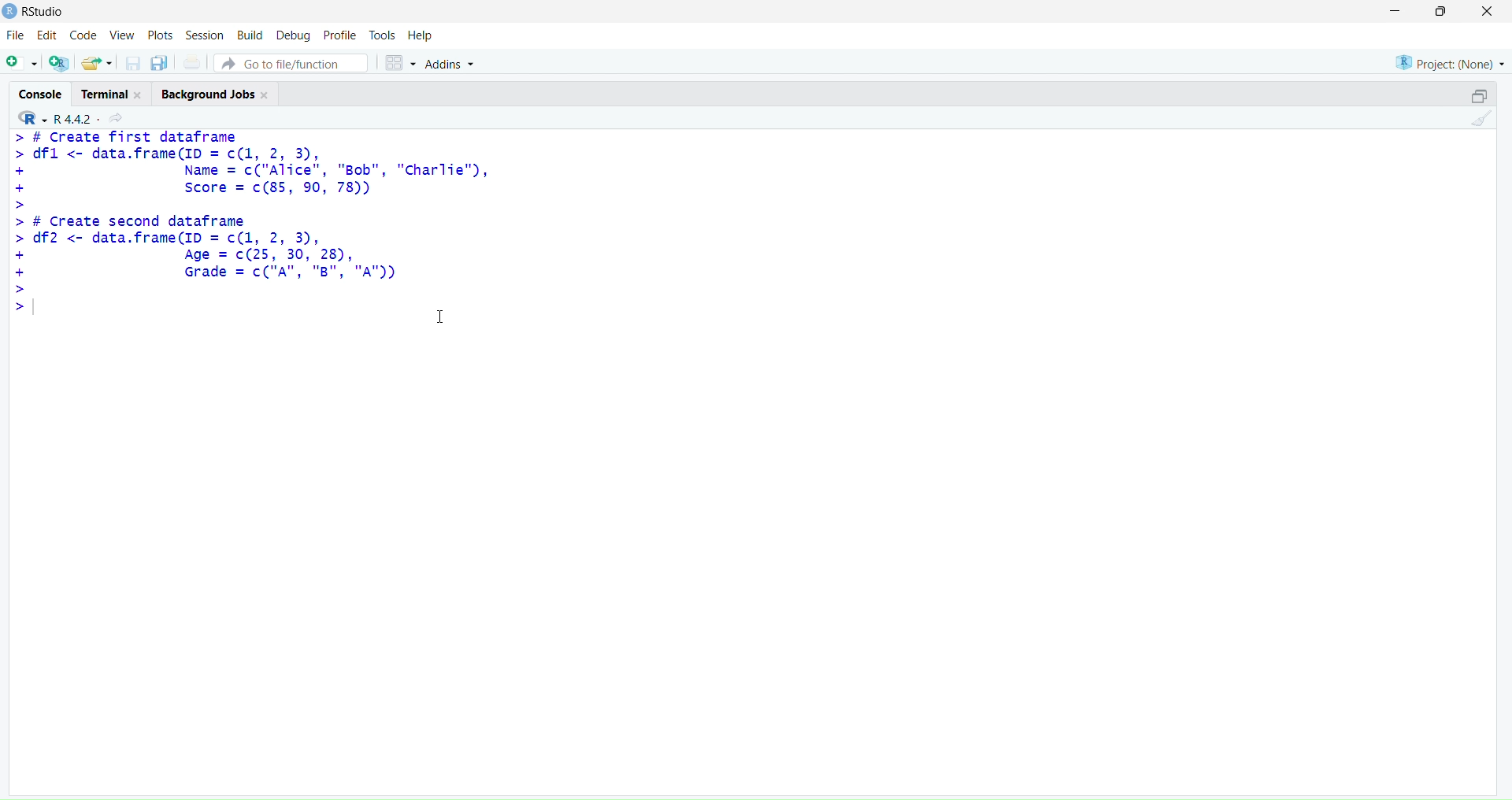 The width and height of the screenshot is (1512, 800). What do you see at coordinates (159, 35) in the screenshot?
I see `Plots` at bounding box center [159, 35].